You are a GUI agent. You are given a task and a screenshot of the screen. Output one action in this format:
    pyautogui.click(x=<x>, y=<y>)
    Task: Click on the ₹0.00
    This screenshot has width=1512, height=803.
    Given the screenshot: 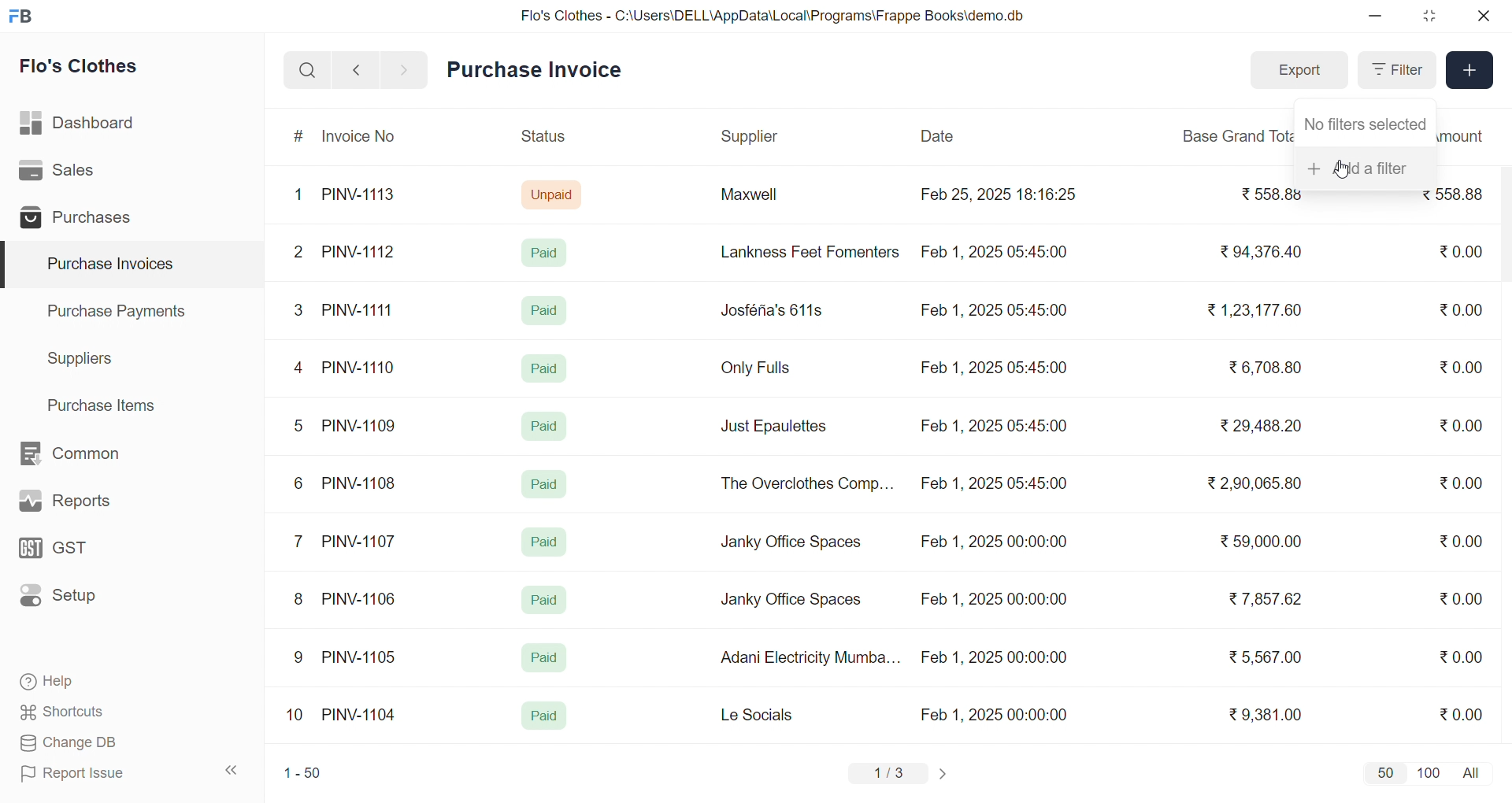 What is the action you would take?
    pyautogui.click(x=1460, y=485)
    